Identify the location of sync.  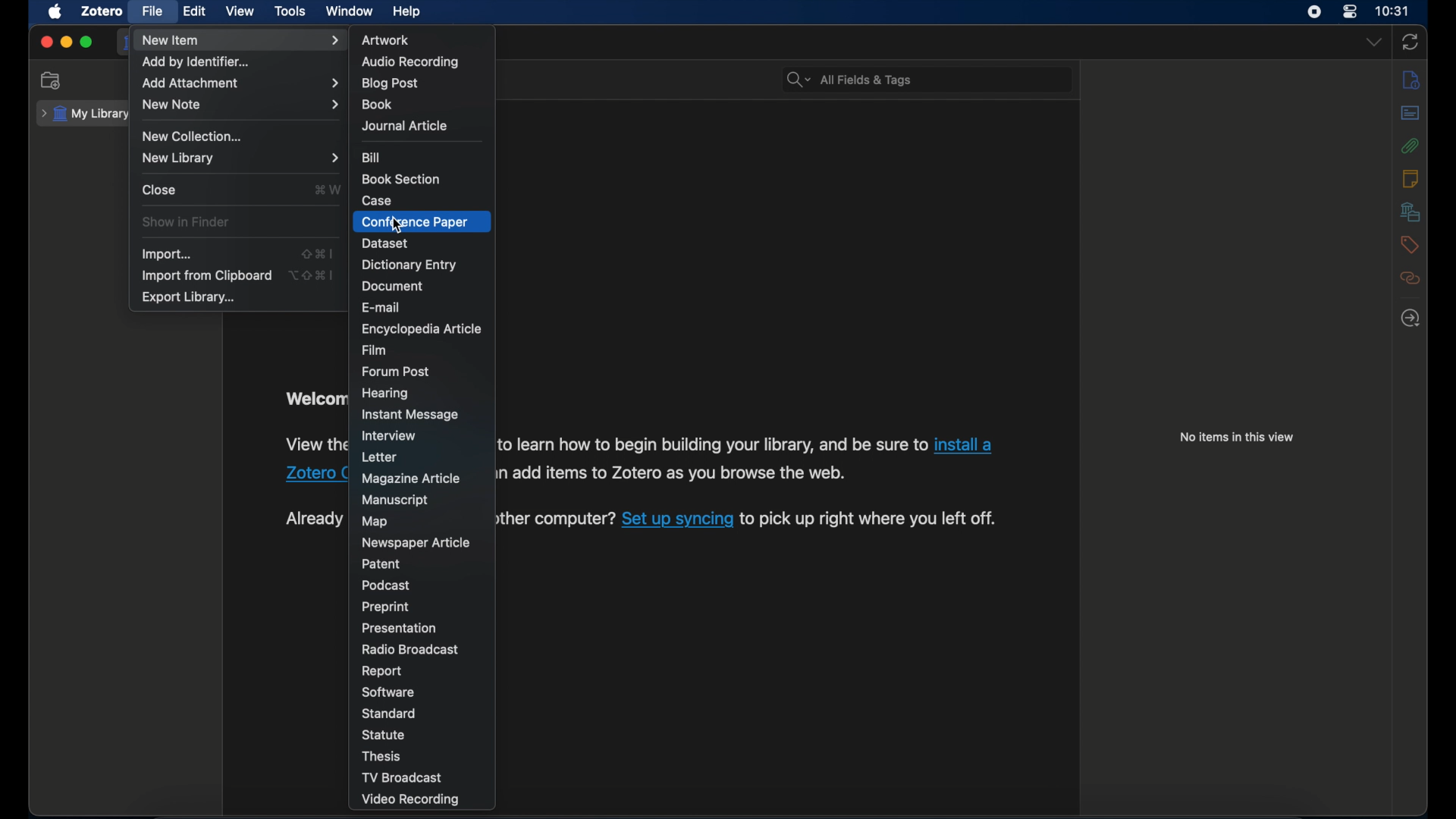
(1410, 42).